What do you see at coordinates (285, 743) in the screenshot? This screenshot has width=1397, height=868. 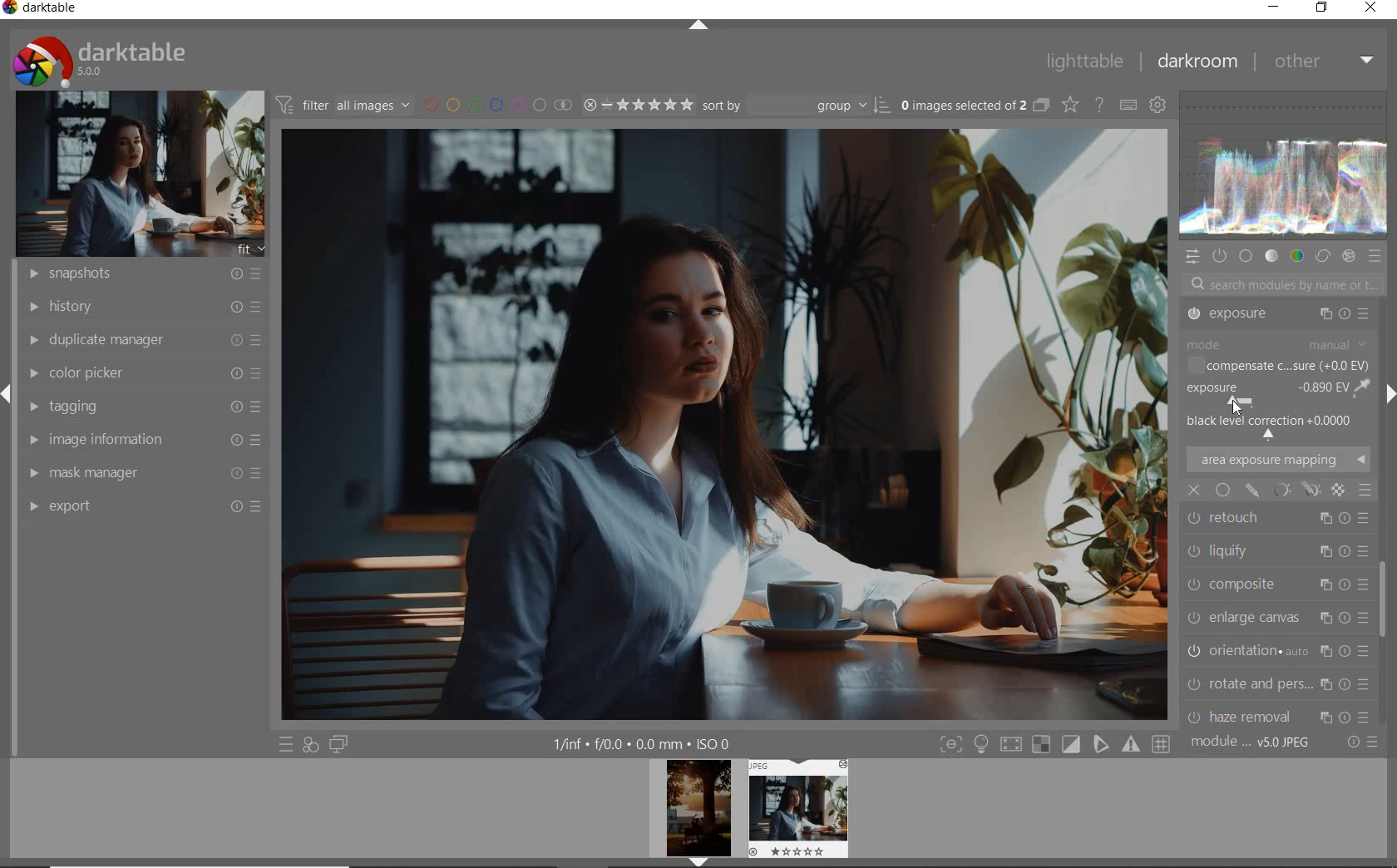 I see `QUICK ACCESS TO PRESET` at bounding box center [285, 743].